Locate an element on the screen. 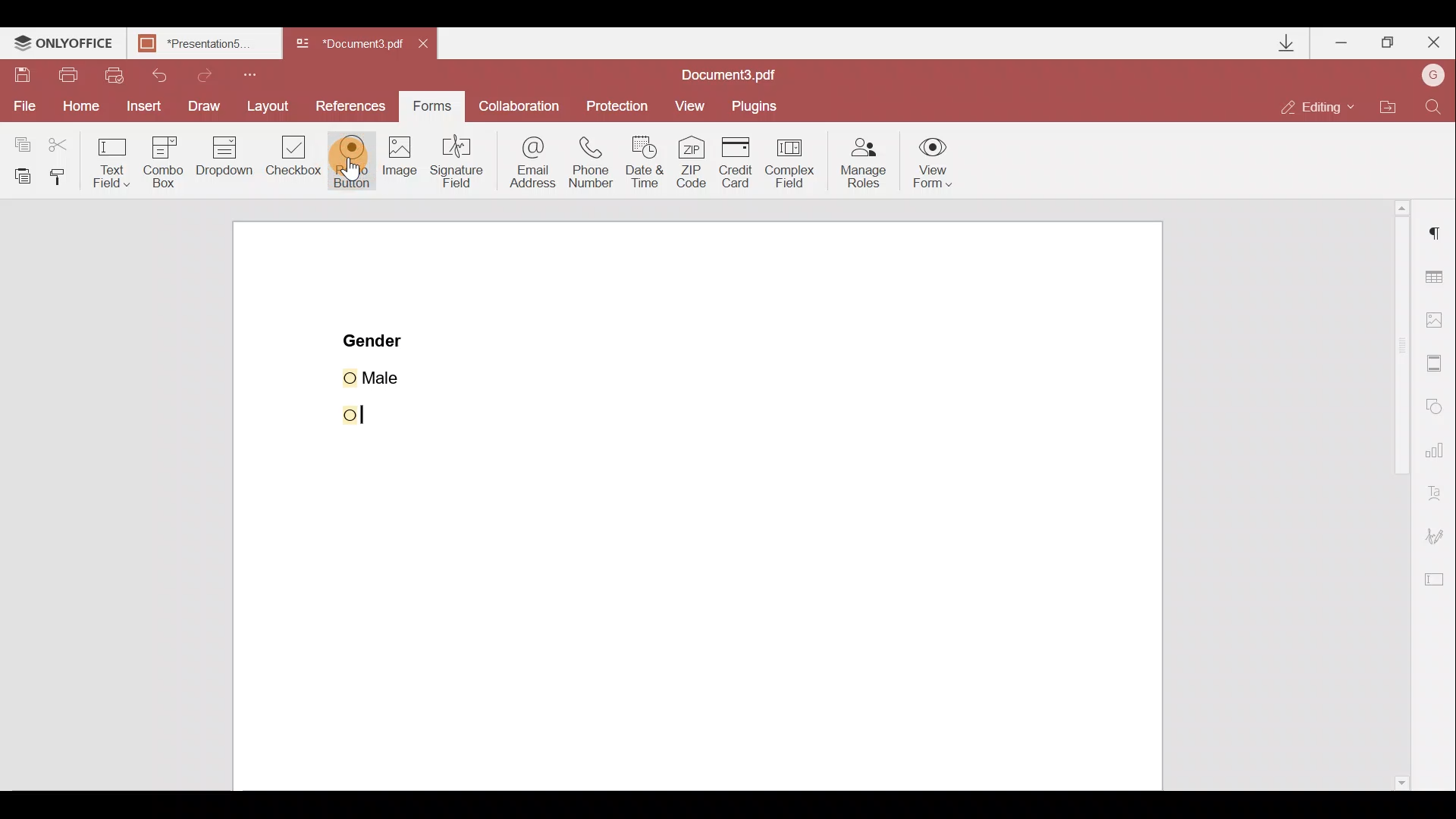 The image size is (1456, 819). References is located at coordinates (352, 105).